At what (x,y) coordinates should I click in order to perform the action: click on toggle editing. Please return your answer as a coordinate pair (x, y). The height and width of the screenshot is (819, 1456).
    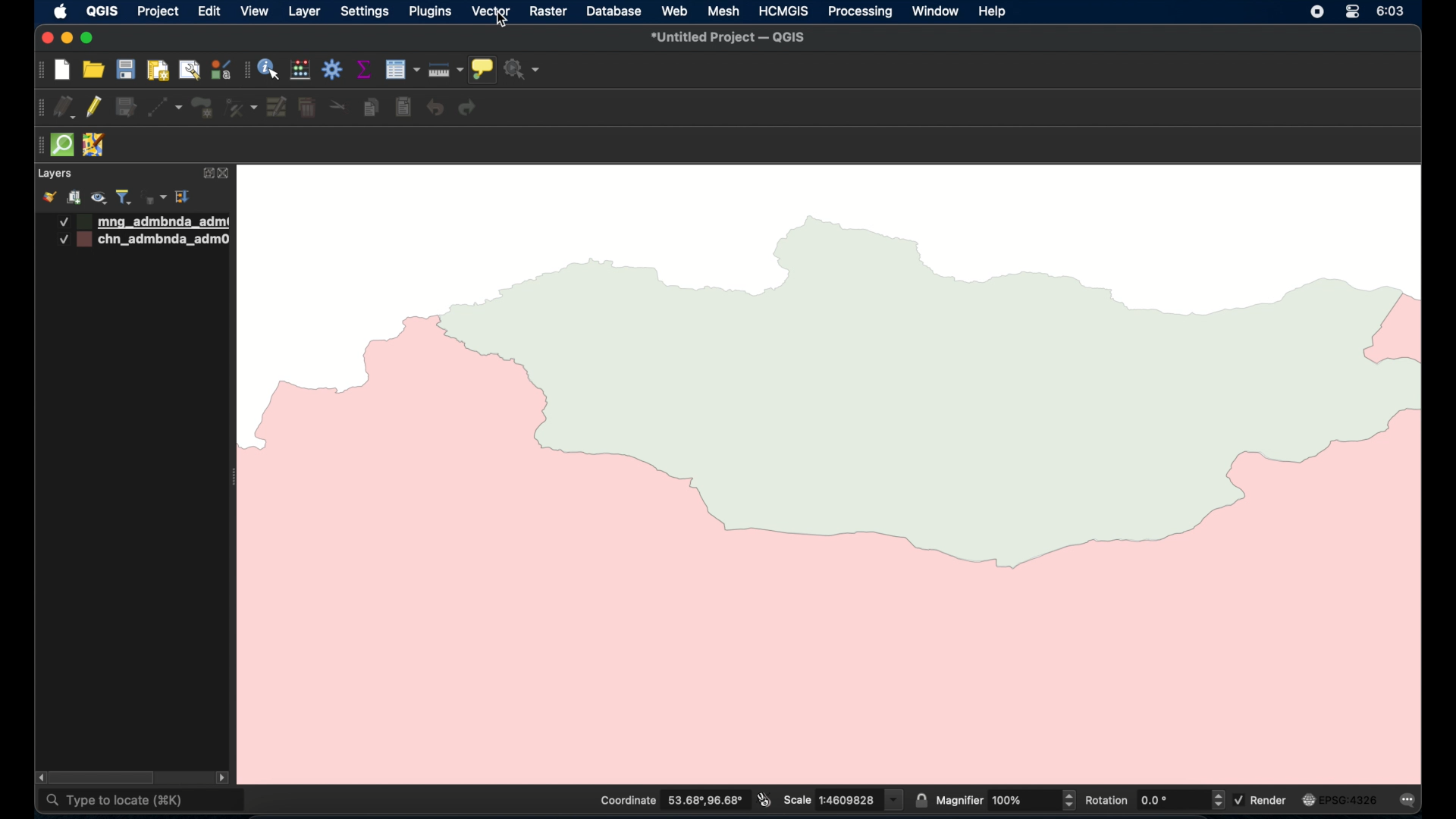
    Looking at the image, I should click on (93, 106).